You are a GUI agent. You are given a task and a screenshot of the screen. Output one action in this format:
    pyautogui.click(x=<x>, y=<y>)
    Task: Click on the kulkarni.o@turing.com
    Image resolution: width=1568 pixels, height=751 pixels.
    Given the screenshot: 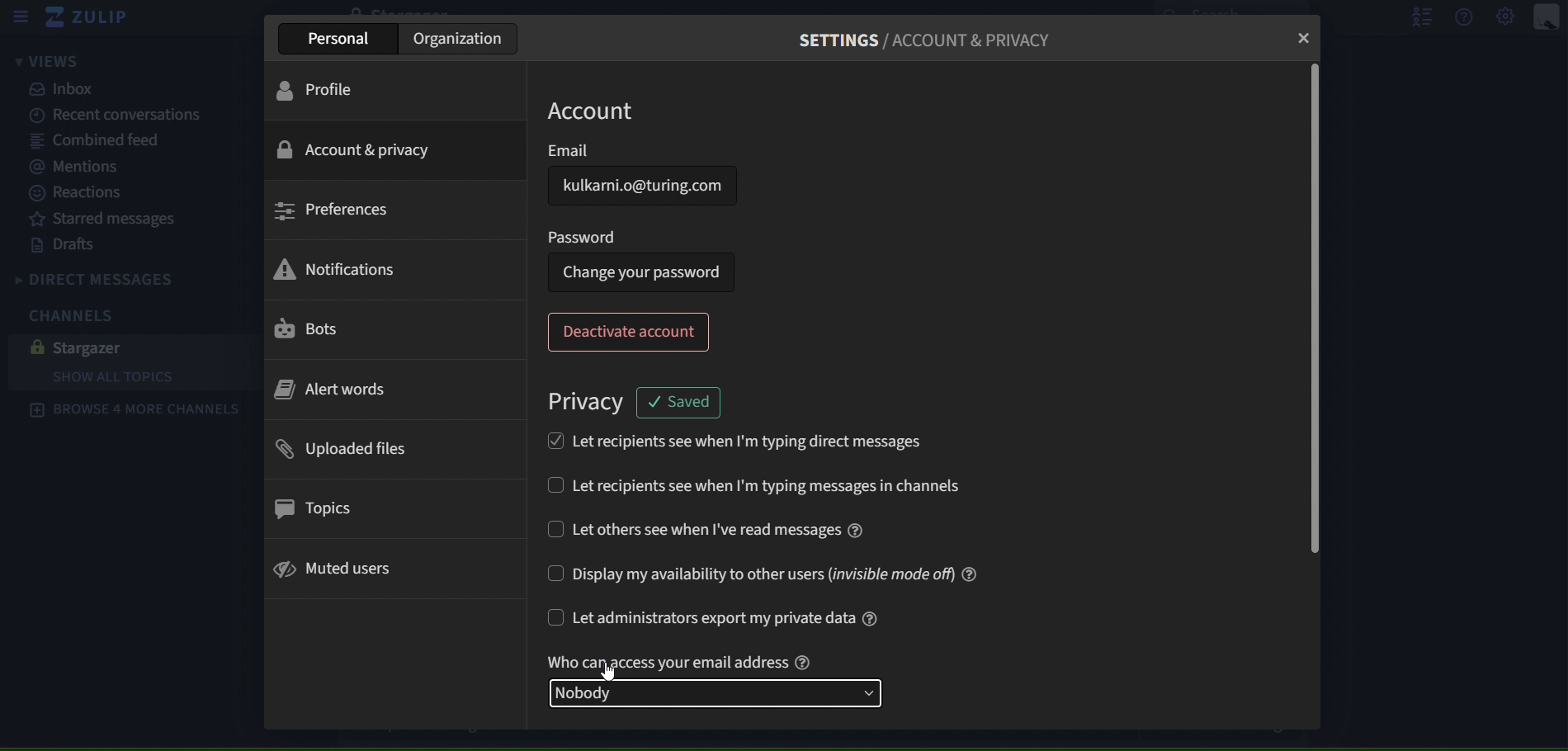 What is the action you would take?
    pyautogui.click(x=642, y=186)
    